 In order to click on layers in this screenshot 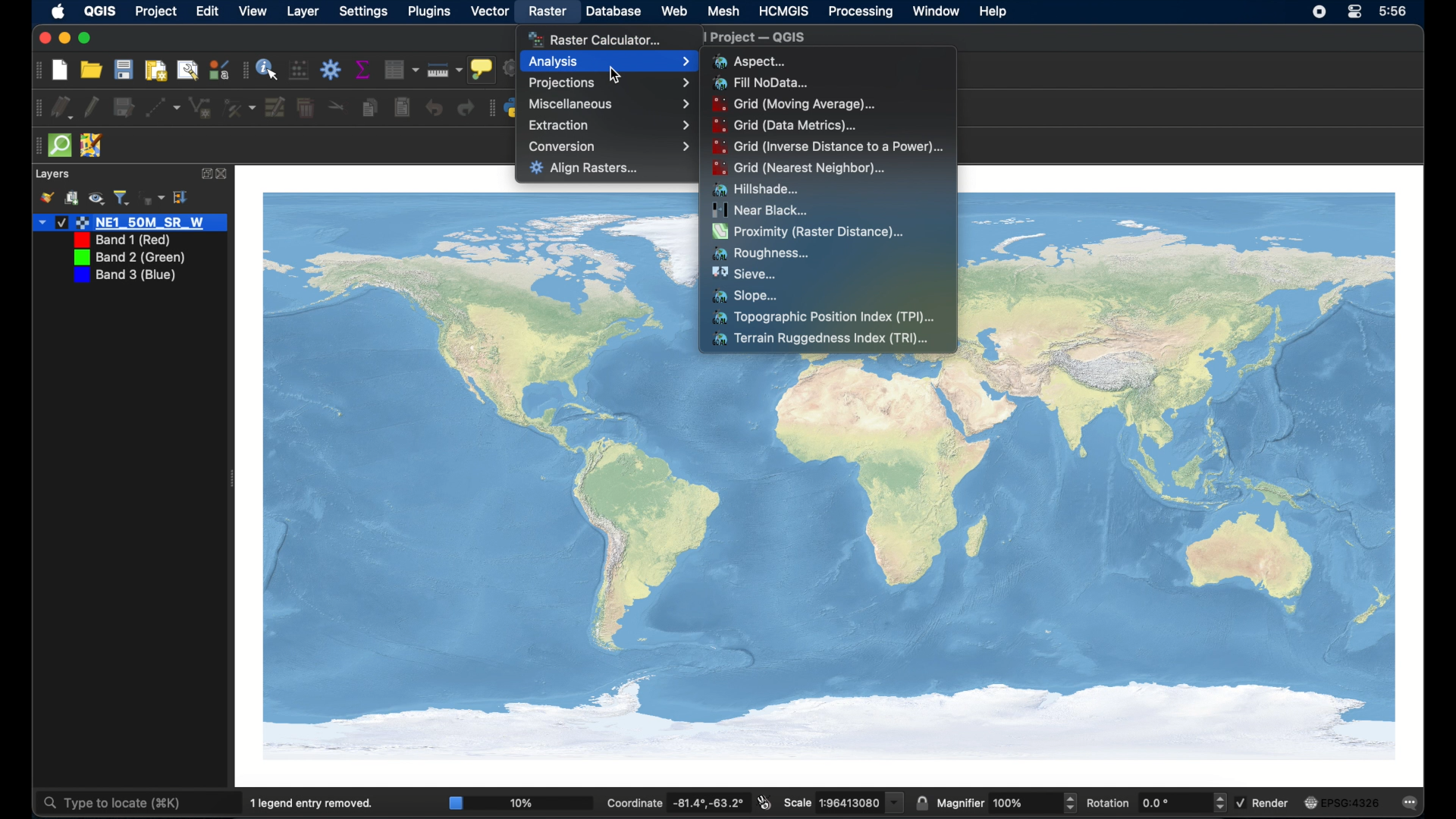, I will do `click(52, 174)`.